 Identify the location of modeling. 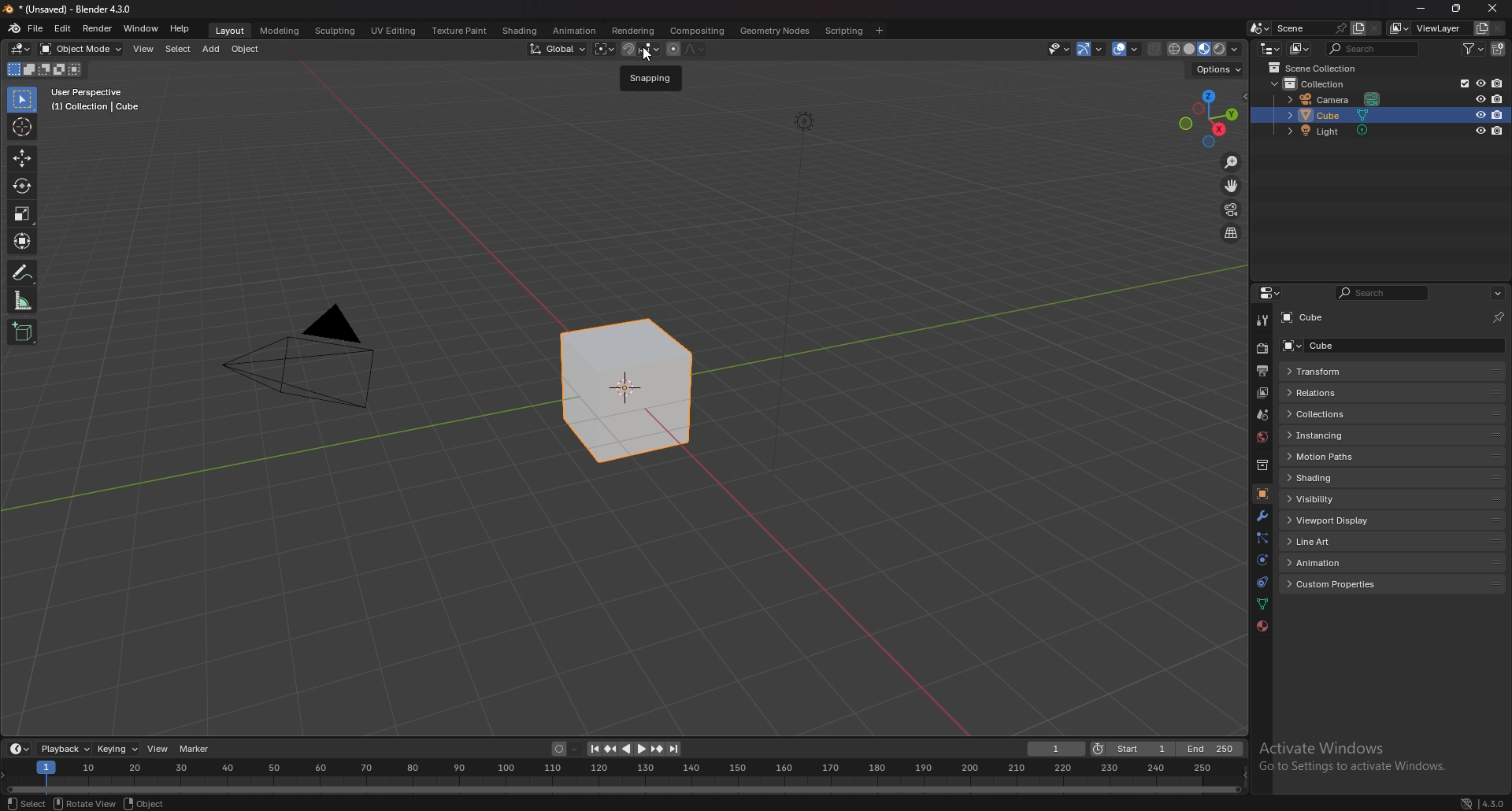
(280, 30).